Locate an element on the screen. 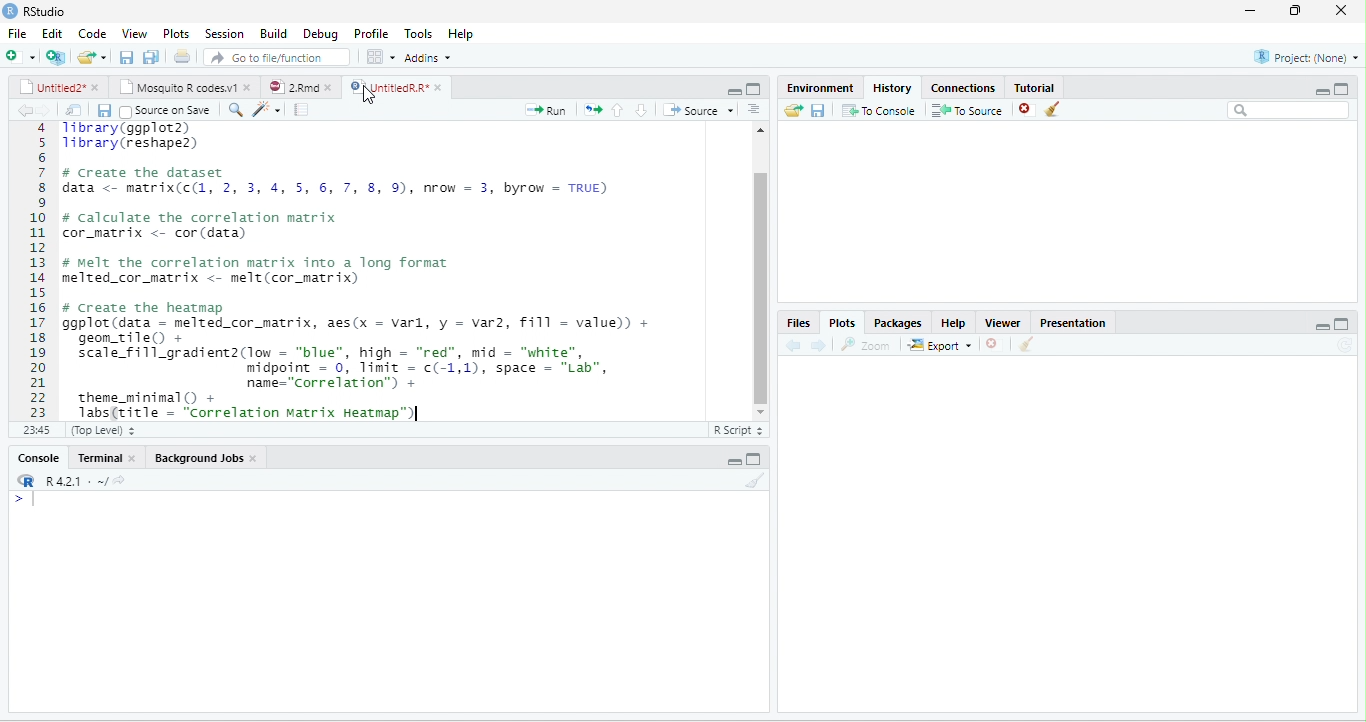 The height and width of the screenshot is (722, 1366). CLOSE is located at coordinates (995, 344).